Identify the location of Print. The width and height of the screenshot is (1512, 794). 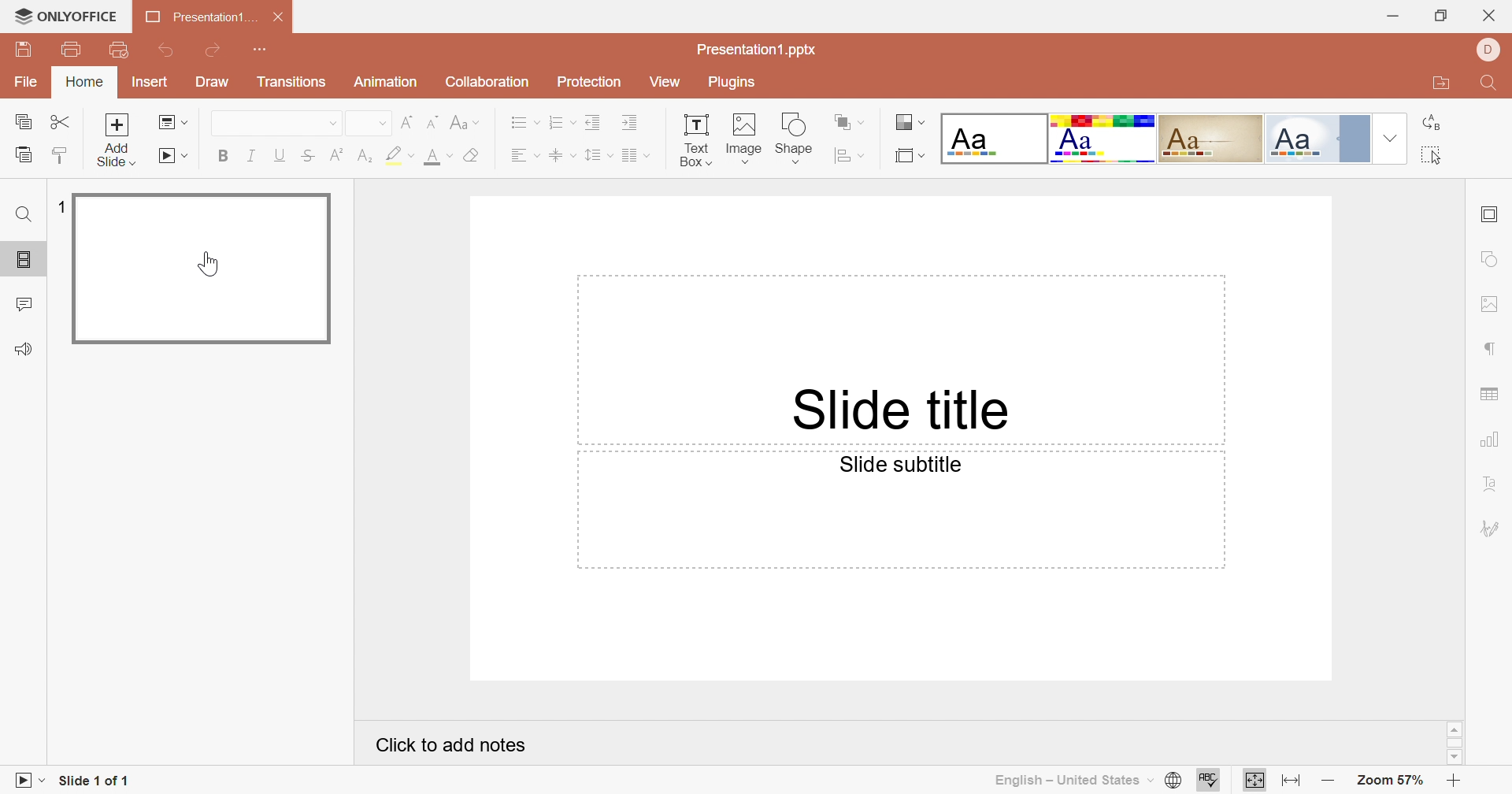
(74, 46).